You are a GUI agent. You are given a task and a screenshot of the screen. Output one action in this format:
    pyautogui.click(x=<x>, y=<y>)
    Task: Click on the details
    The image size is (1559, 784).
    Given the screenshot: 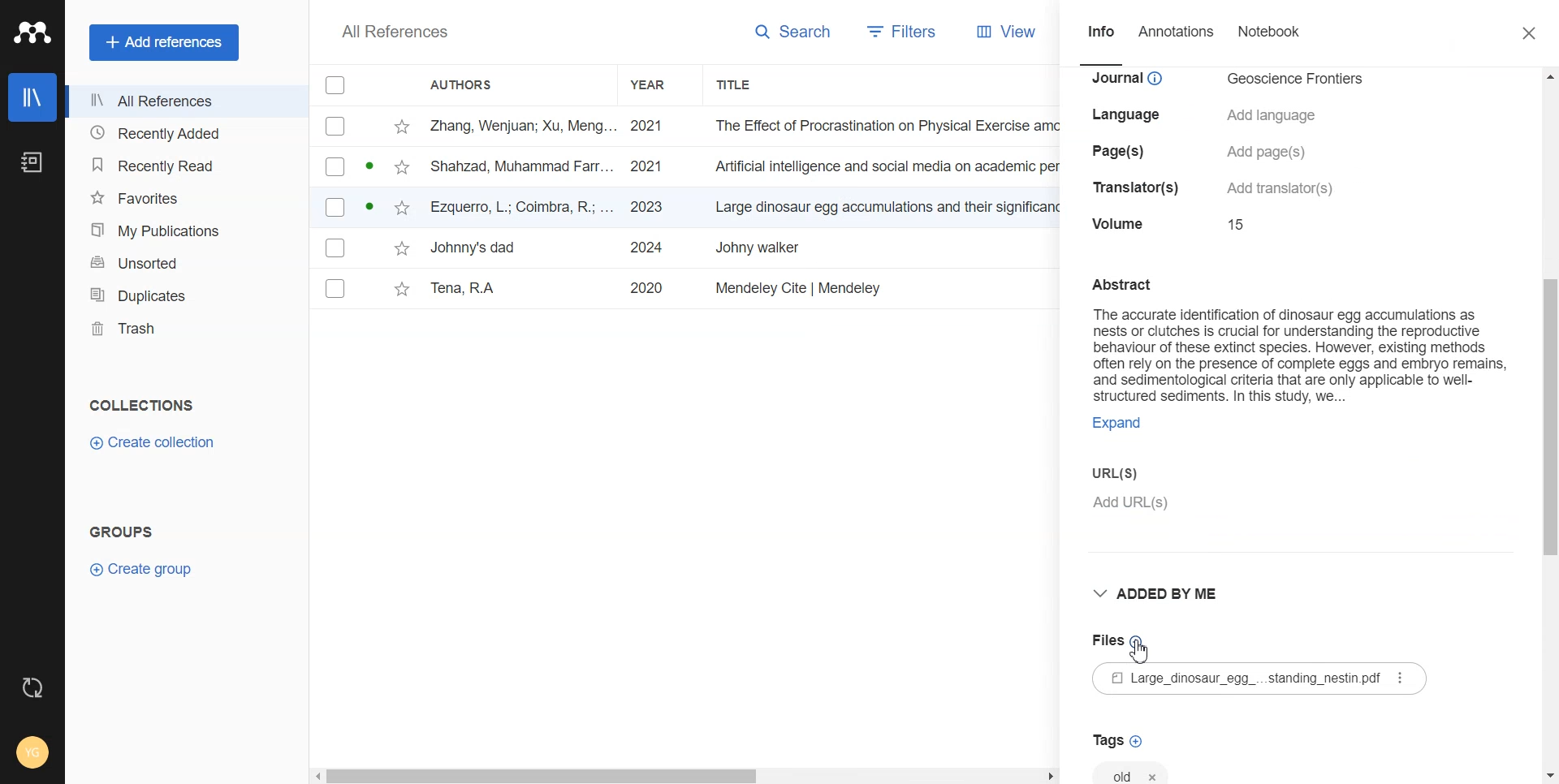 What is the action you would take?
    pyautogui.click(x=1269, y=152)
    